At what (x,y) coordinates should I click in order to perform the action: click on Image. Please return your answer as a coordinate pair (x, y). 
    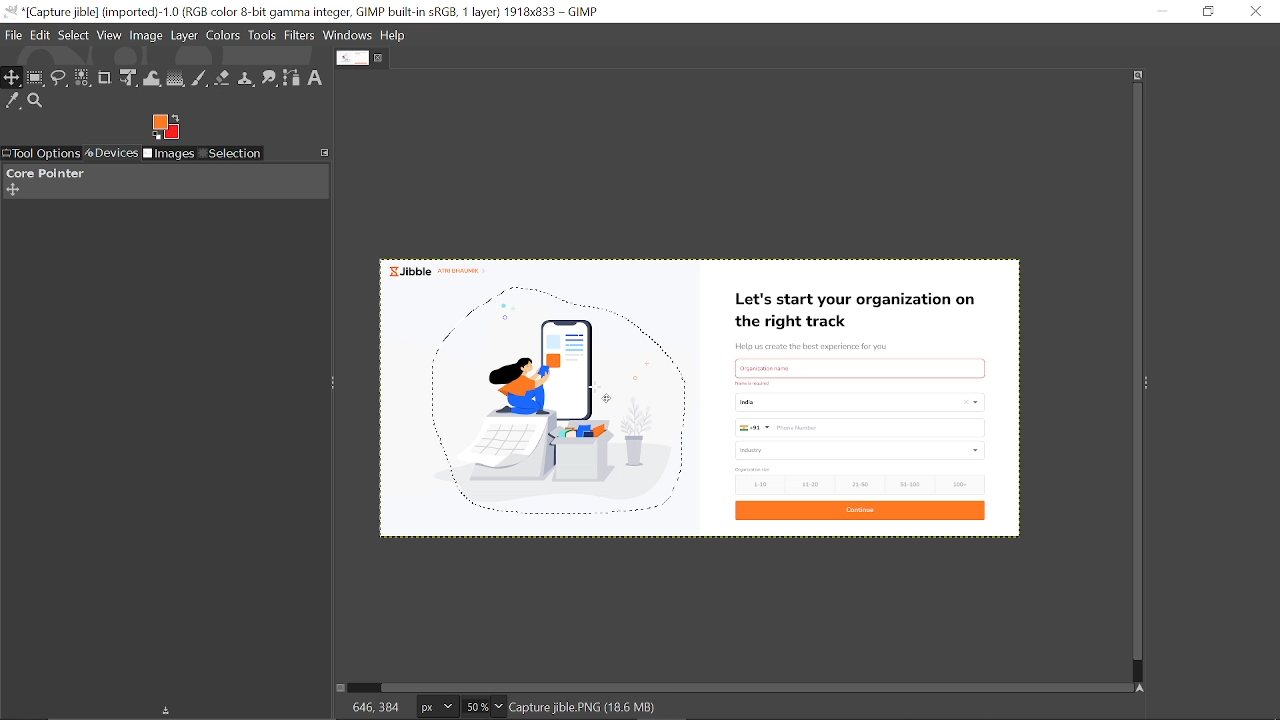
    Looking at the image, I should click on (147, 36).